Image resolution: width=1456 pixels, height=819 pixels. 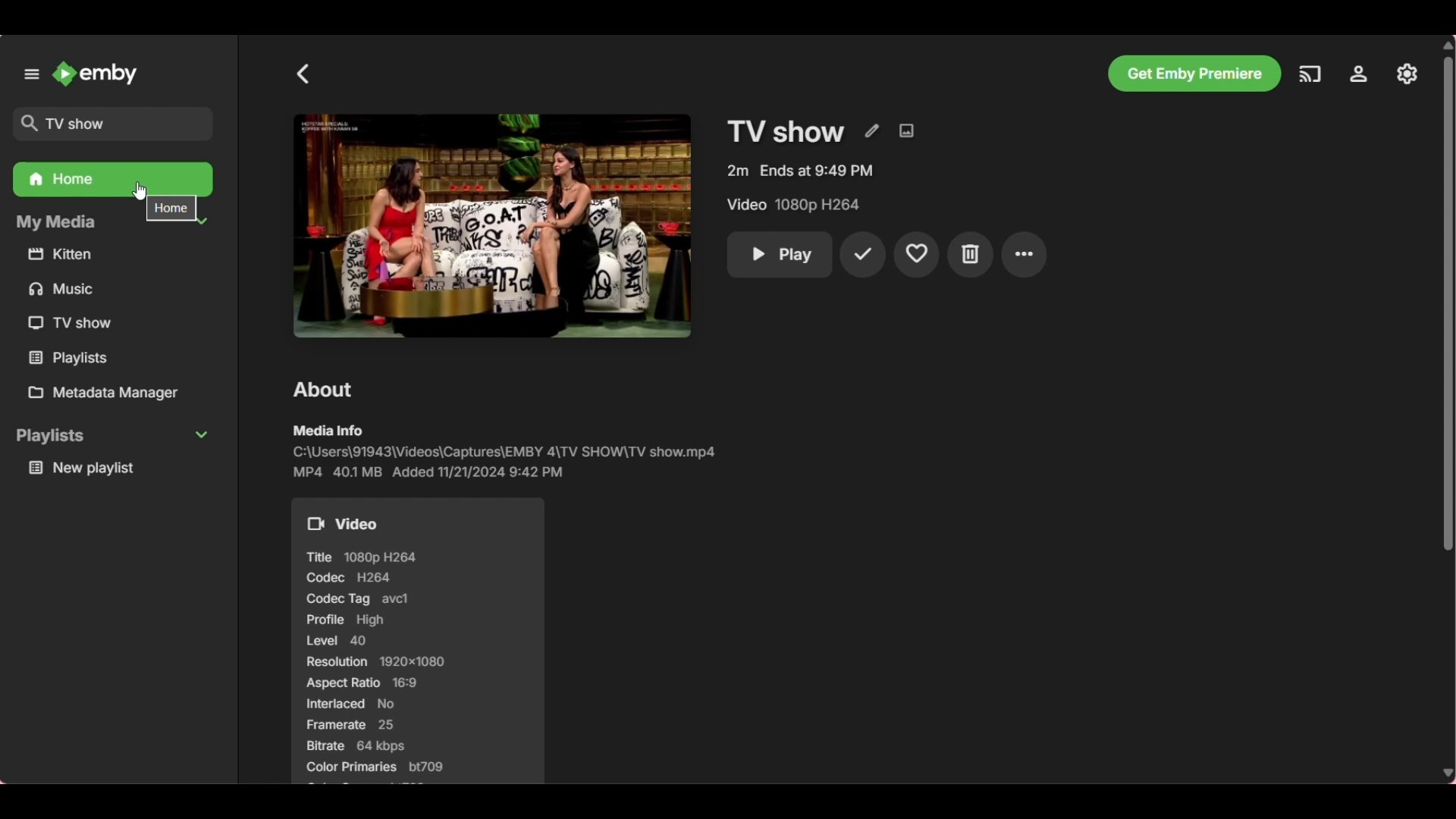 I want to click on Play on another device, so click(x=1309, y=74).